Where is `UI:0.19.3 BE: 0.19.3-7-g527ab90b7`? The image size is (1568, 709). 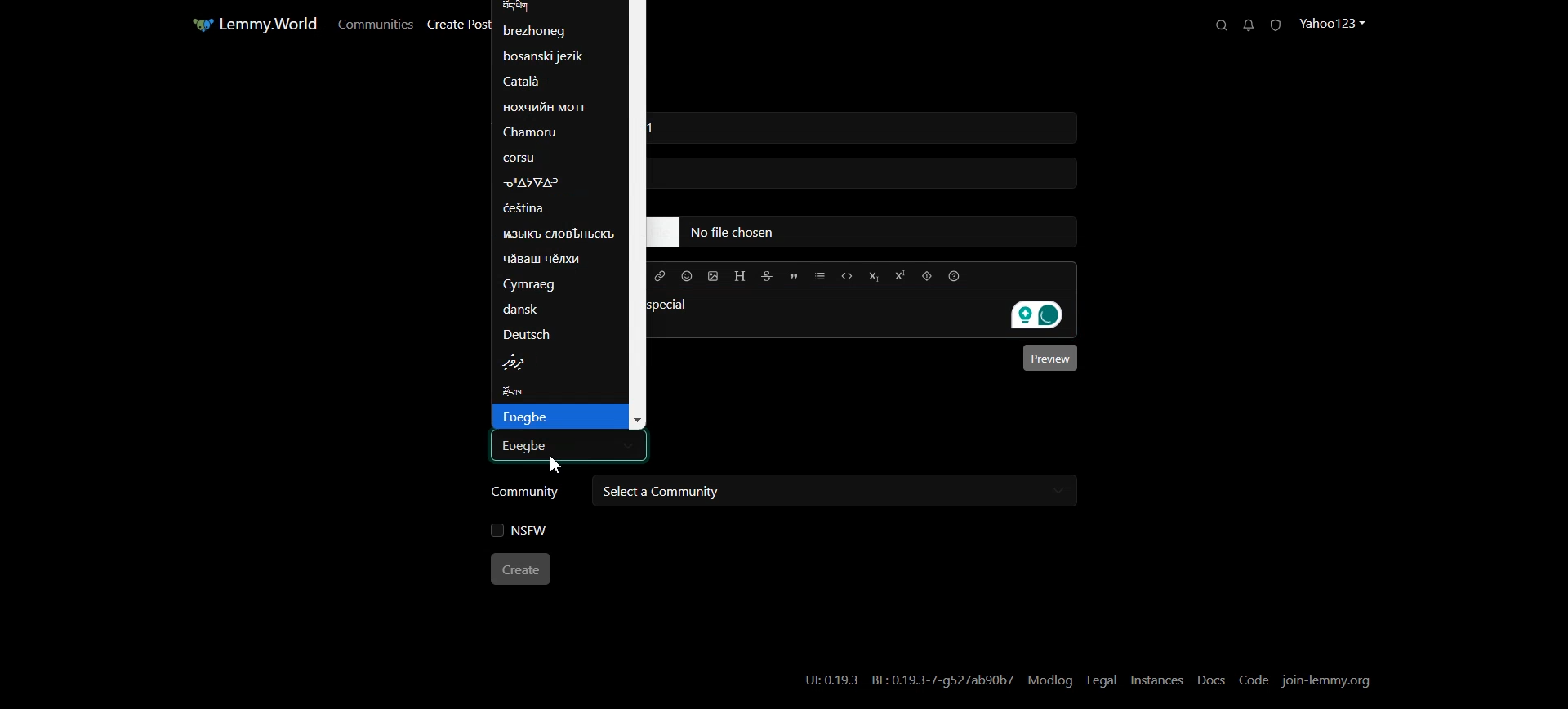
UI:0.19.3 BE: 0.19.3-7-g527ab90b7 is located at coordinates (907, 680).